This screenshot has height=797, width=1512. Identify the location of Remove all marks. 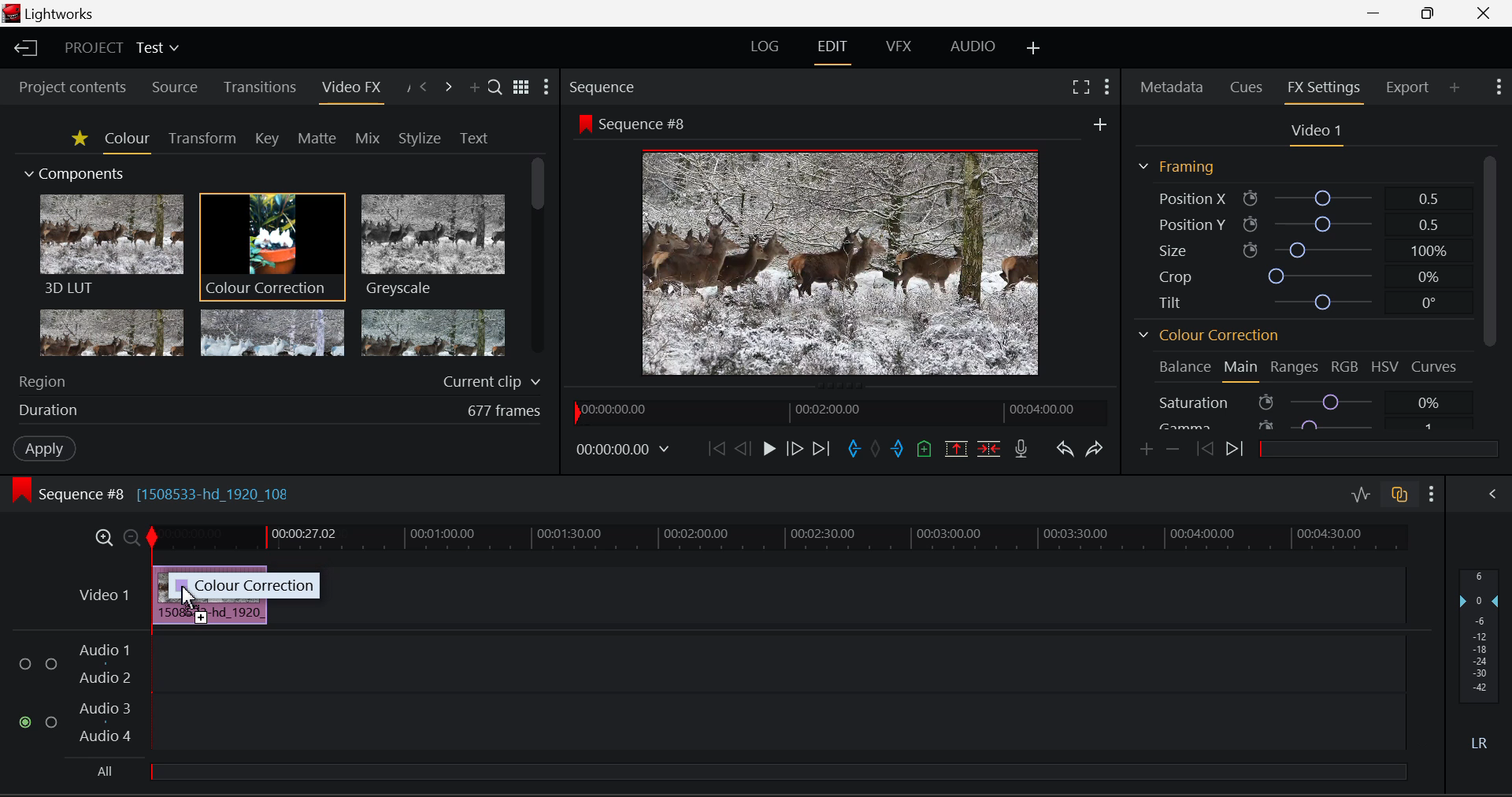
(875, 449).